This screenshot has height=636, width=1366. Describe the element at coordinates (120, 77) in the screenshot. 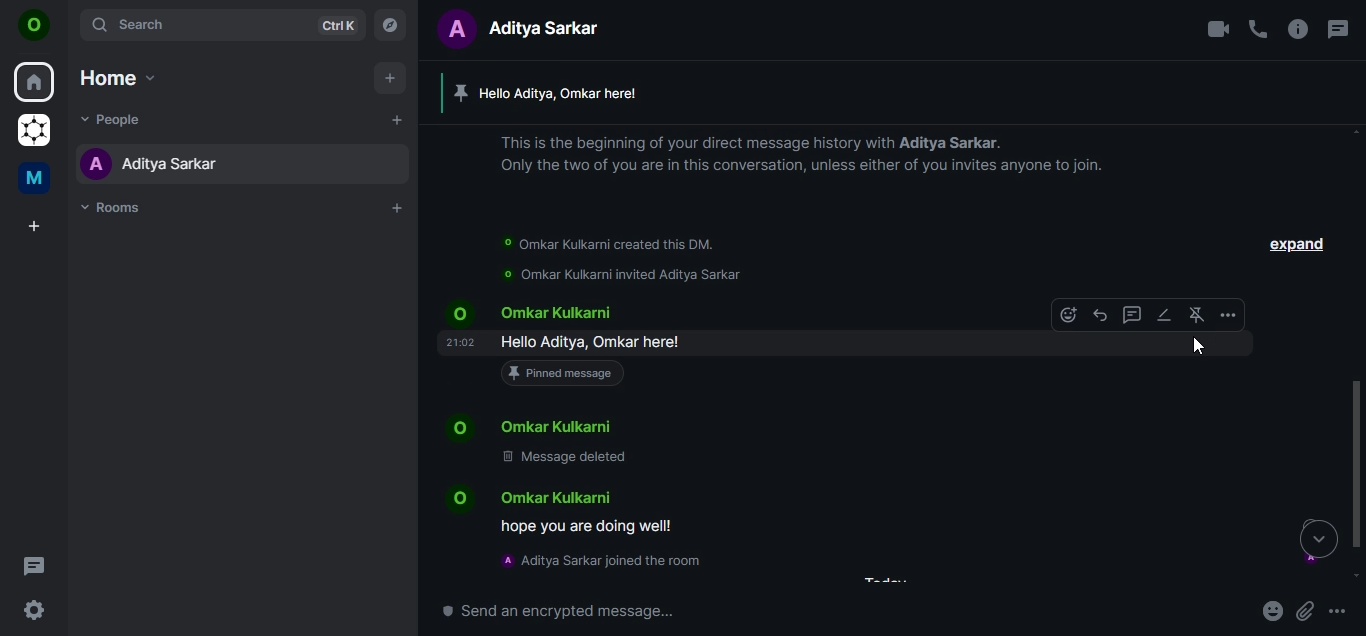

I see `home` at that location.